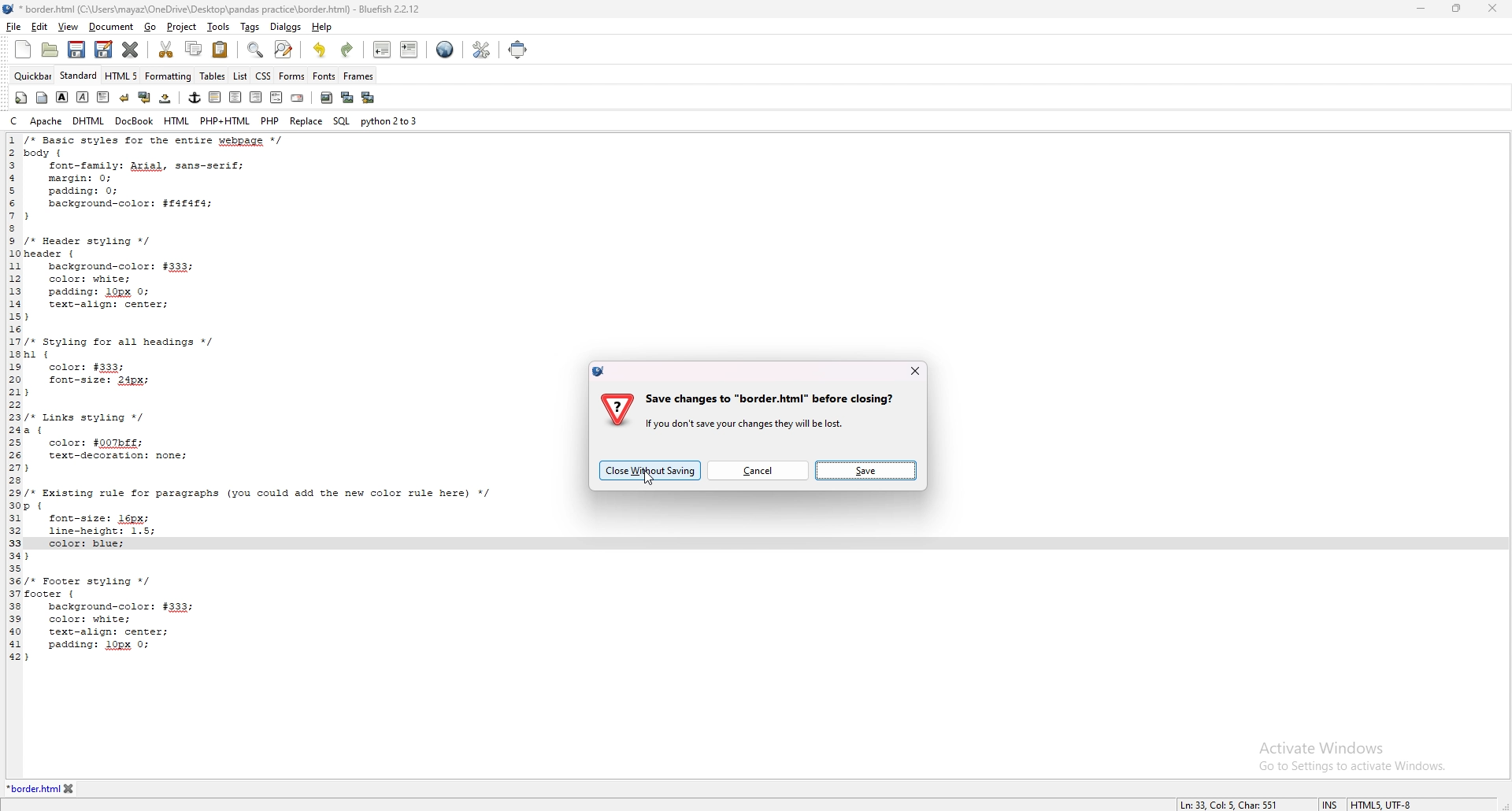 The height and width of the screenshot is (811, 1512). I want to click on php, so click(271, 120).